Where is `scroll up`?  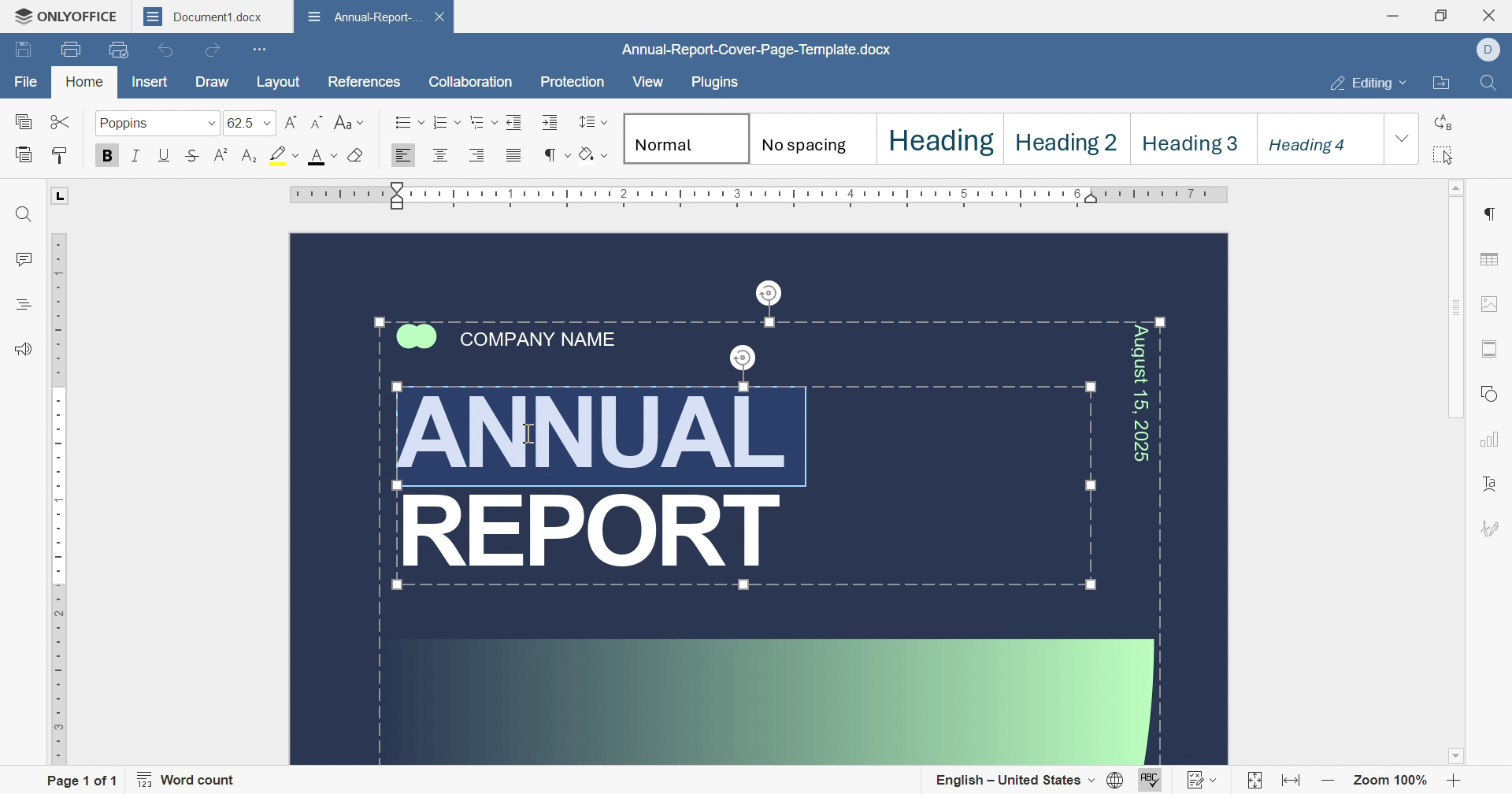 scroll up is located at coordinates (1458, 187).